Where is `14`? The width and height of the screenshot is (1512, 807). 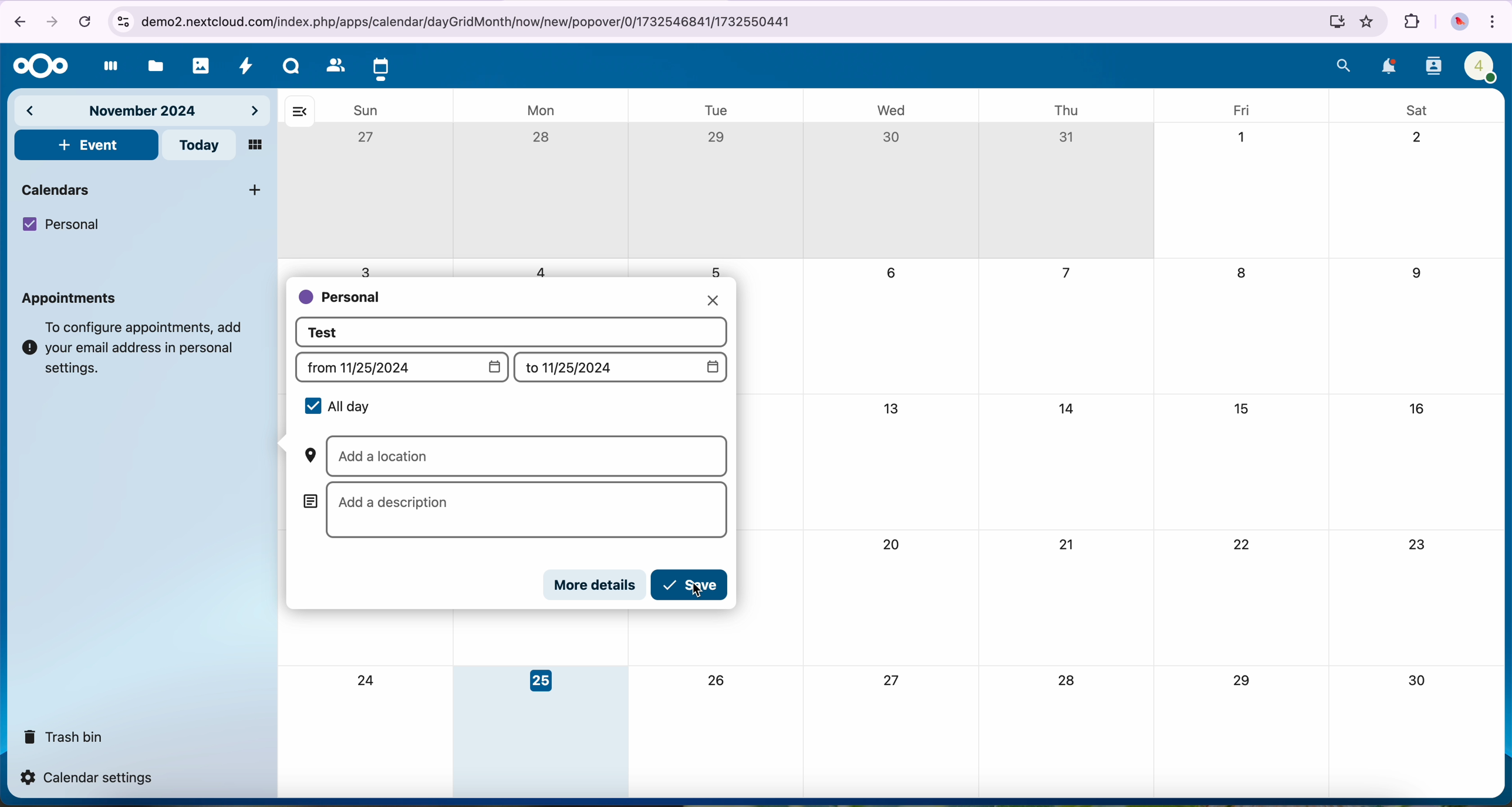 14 is located at coordinates (1071, 410).